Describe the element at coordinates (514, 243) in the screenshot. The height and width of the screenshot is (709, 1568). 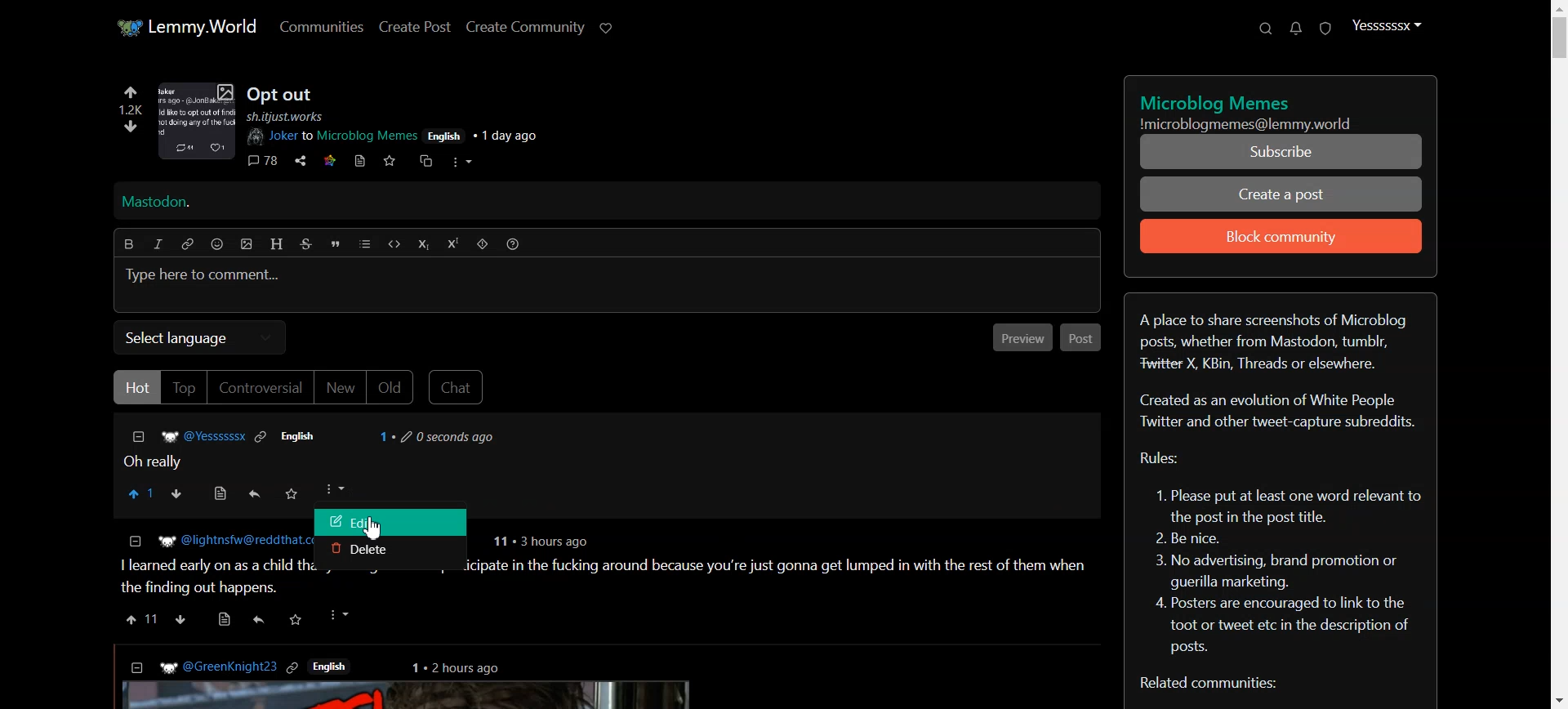
I see `Formatting help` at that location.